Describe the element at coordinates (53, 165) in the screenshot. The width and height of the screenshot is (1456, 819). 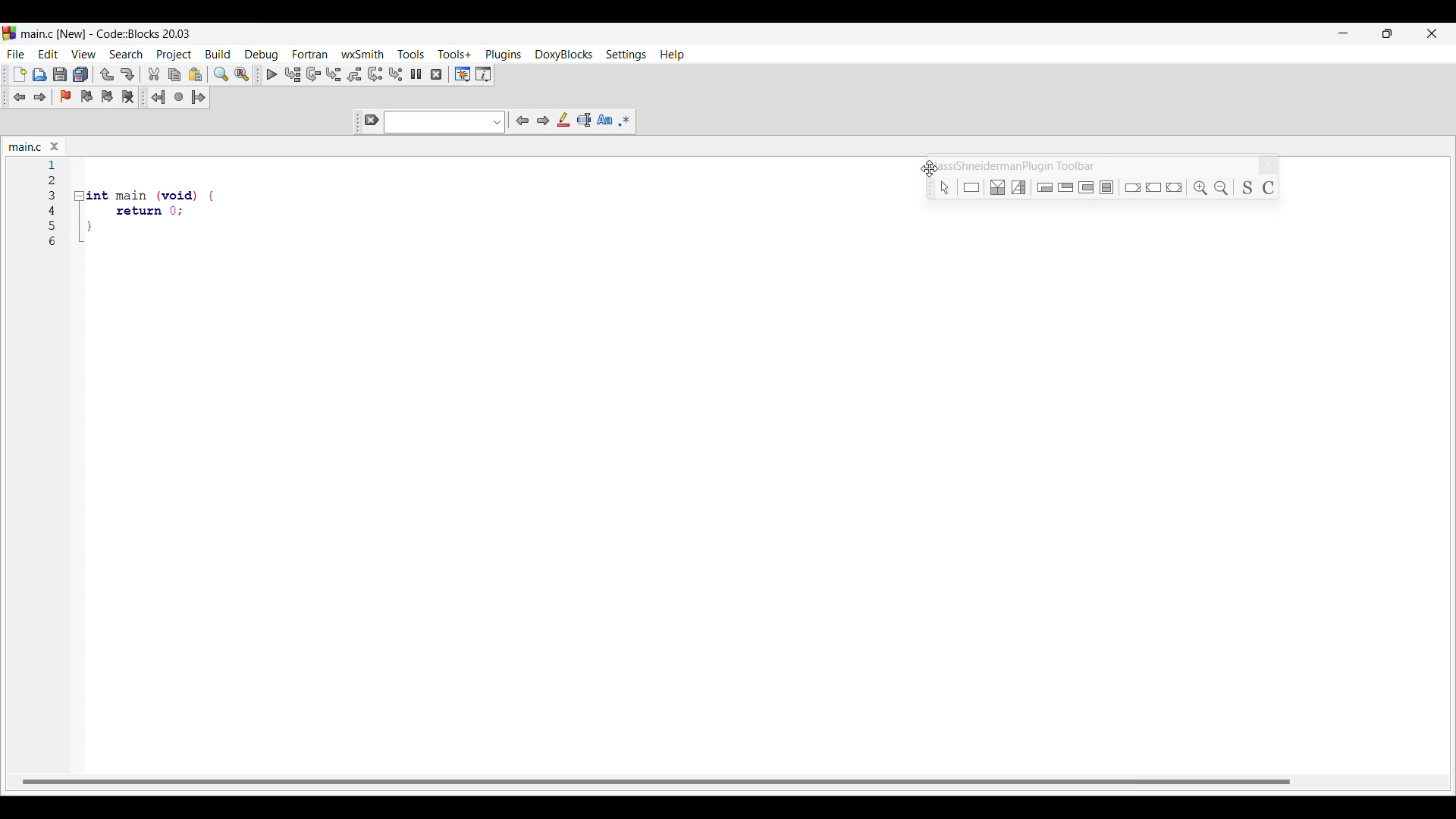
I see `Current code` at that location.